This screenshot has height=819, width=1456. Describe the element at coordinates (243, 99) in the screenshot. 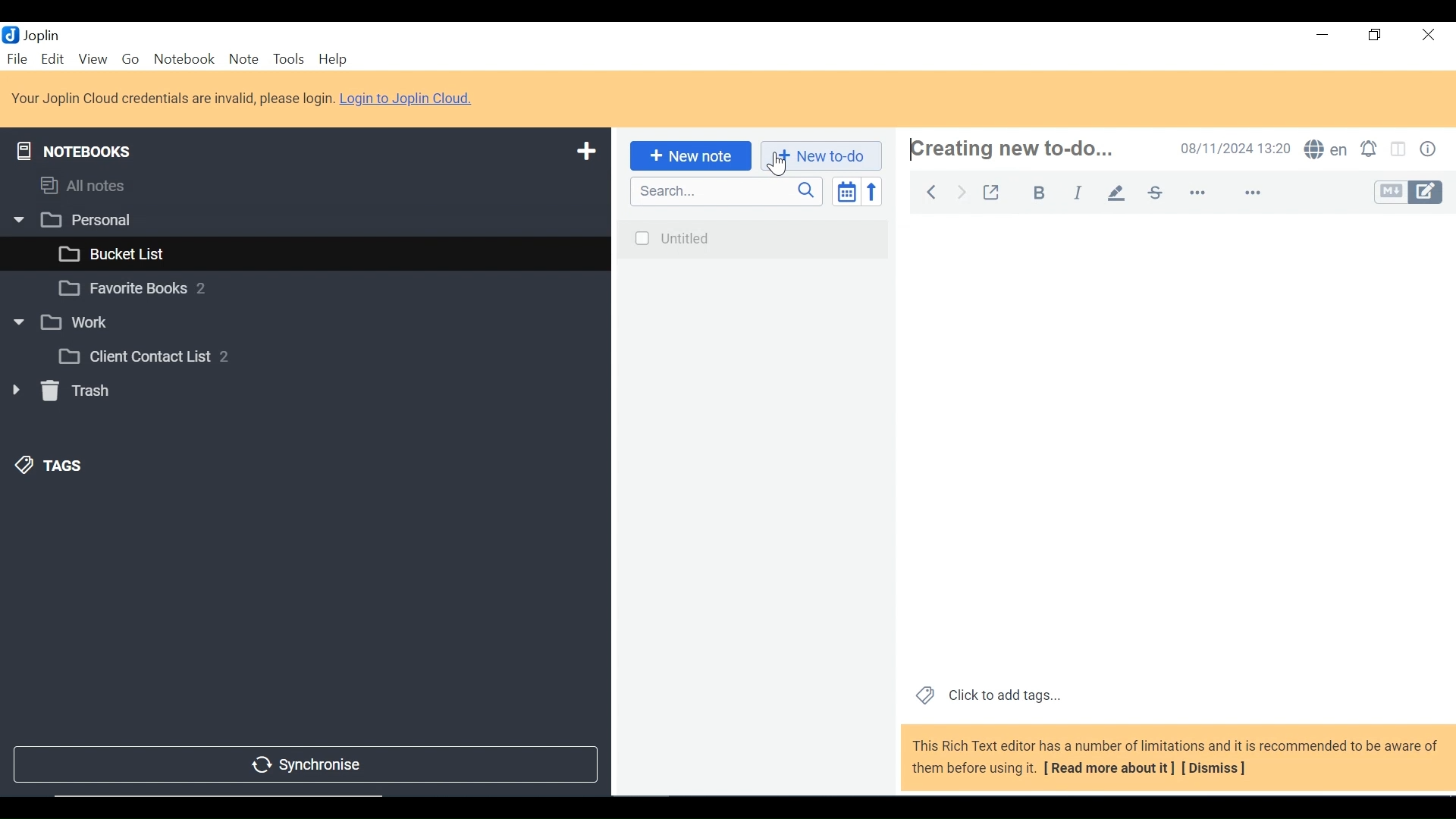

I see `Login to Joplin Cloud` at that location.